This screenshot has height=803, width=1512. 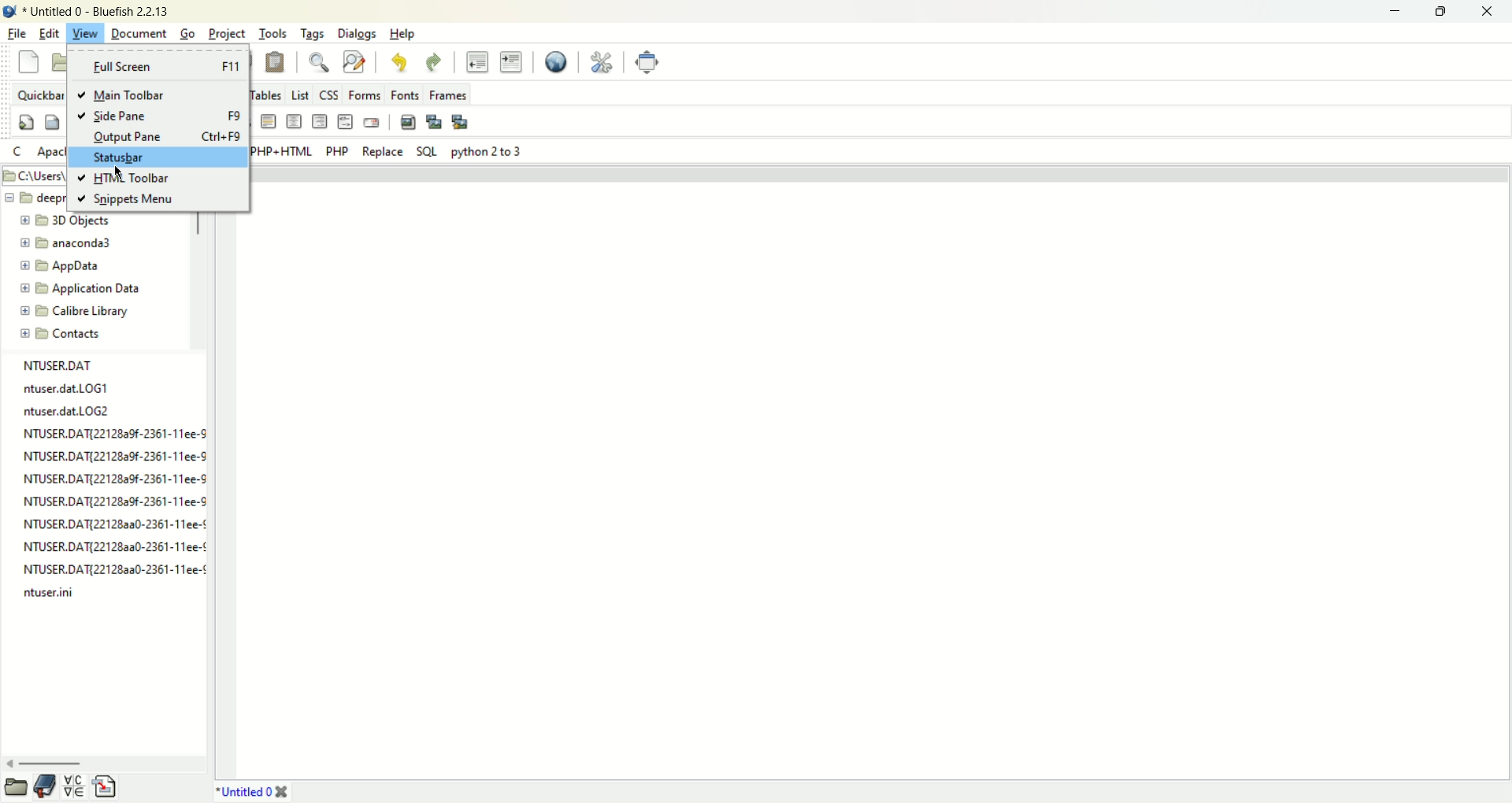 What do you see at coordinates (119, 172) in the screenshot?
I see `cursor` at bounding box center [119, 172].